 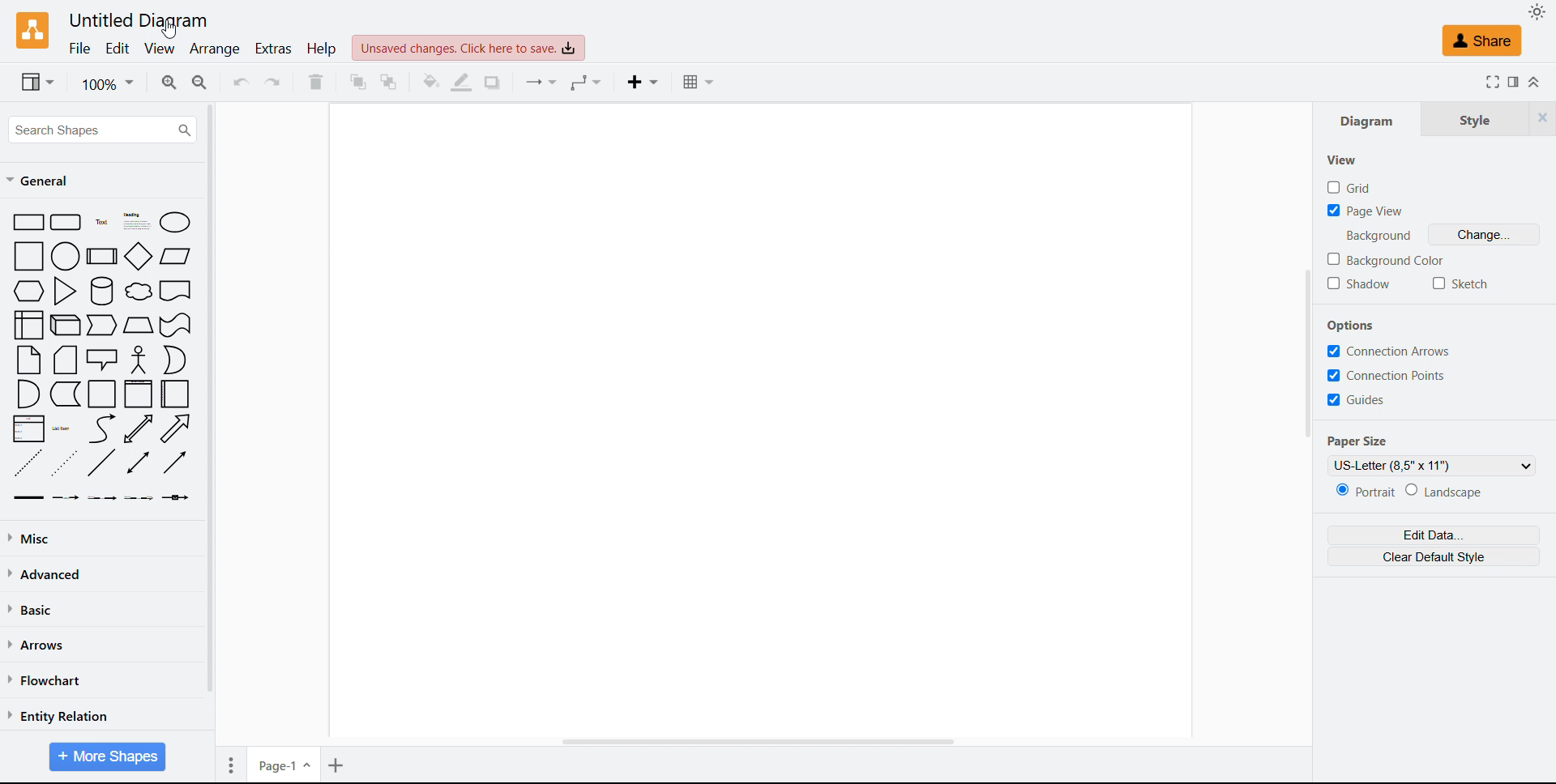 I want to click on Format , so click(x=1515, y=82).